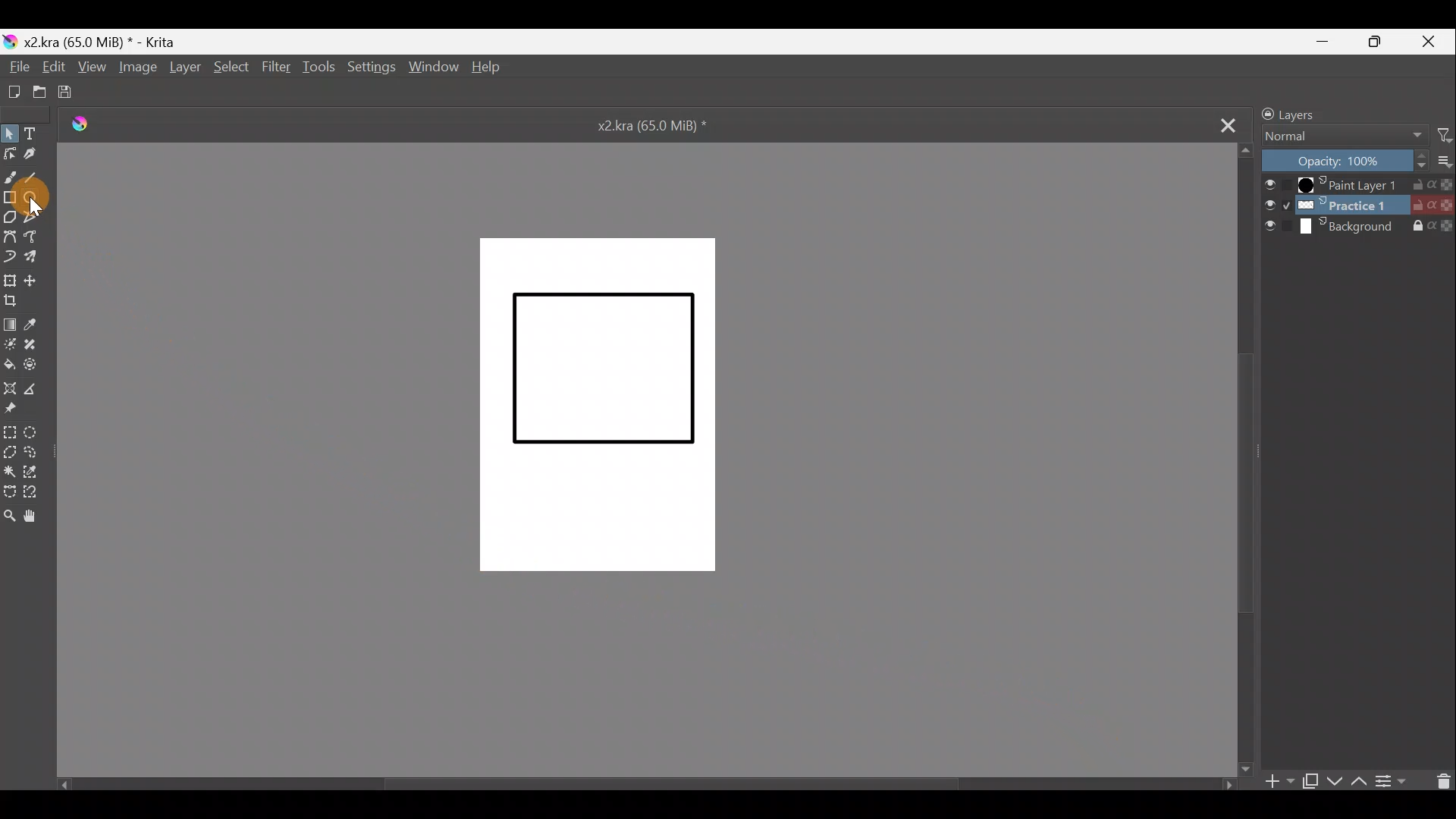 The height and width of the screenshot is (819, 1456). I want to click on Enclose & fill tool, so click(34, 365).